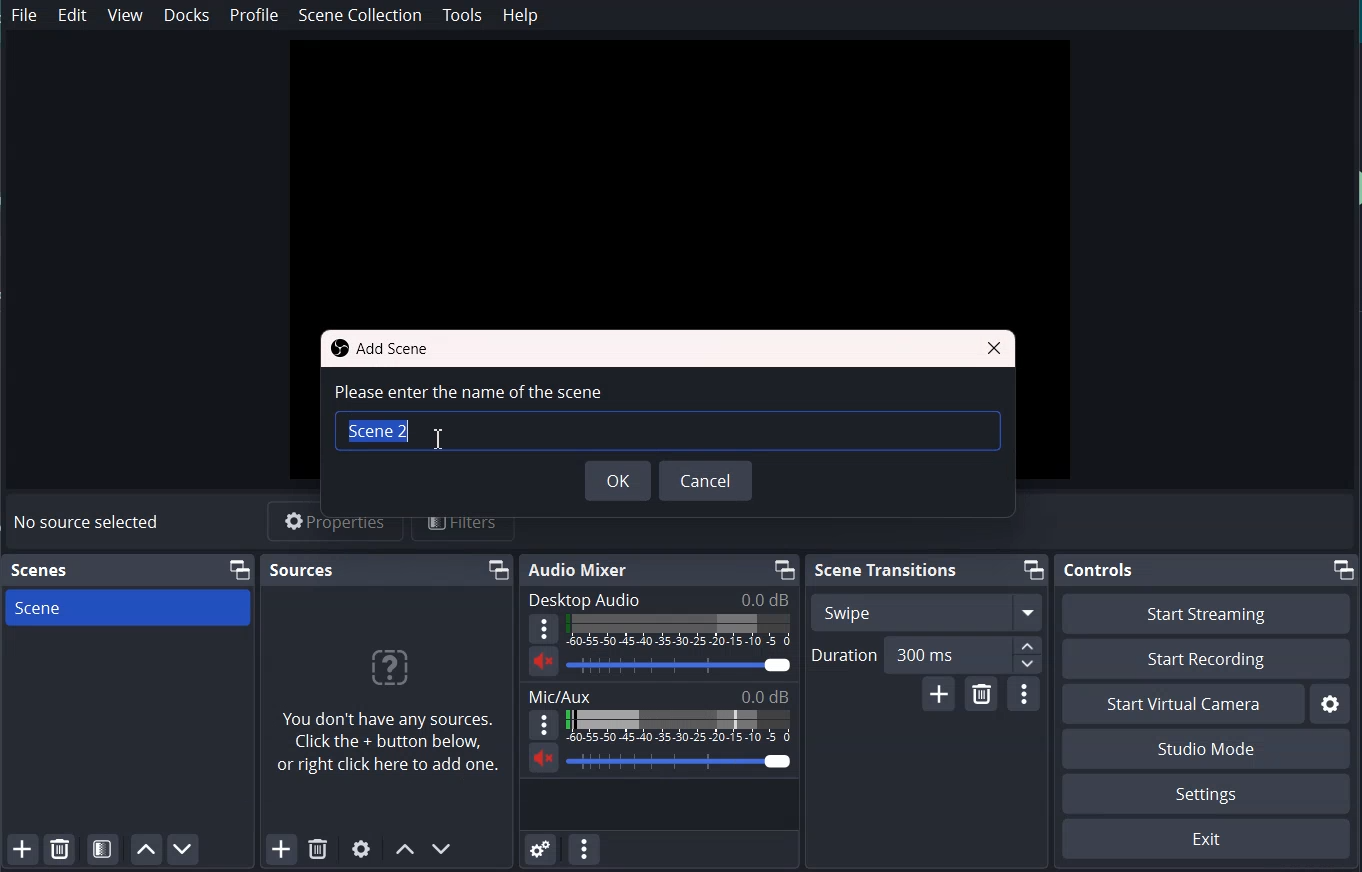 The height and width of the screenshot is (872, 1362). Describe the element at coordinates (981, 694) in the screenshot. I see `Remove configurable Transition` at that location.